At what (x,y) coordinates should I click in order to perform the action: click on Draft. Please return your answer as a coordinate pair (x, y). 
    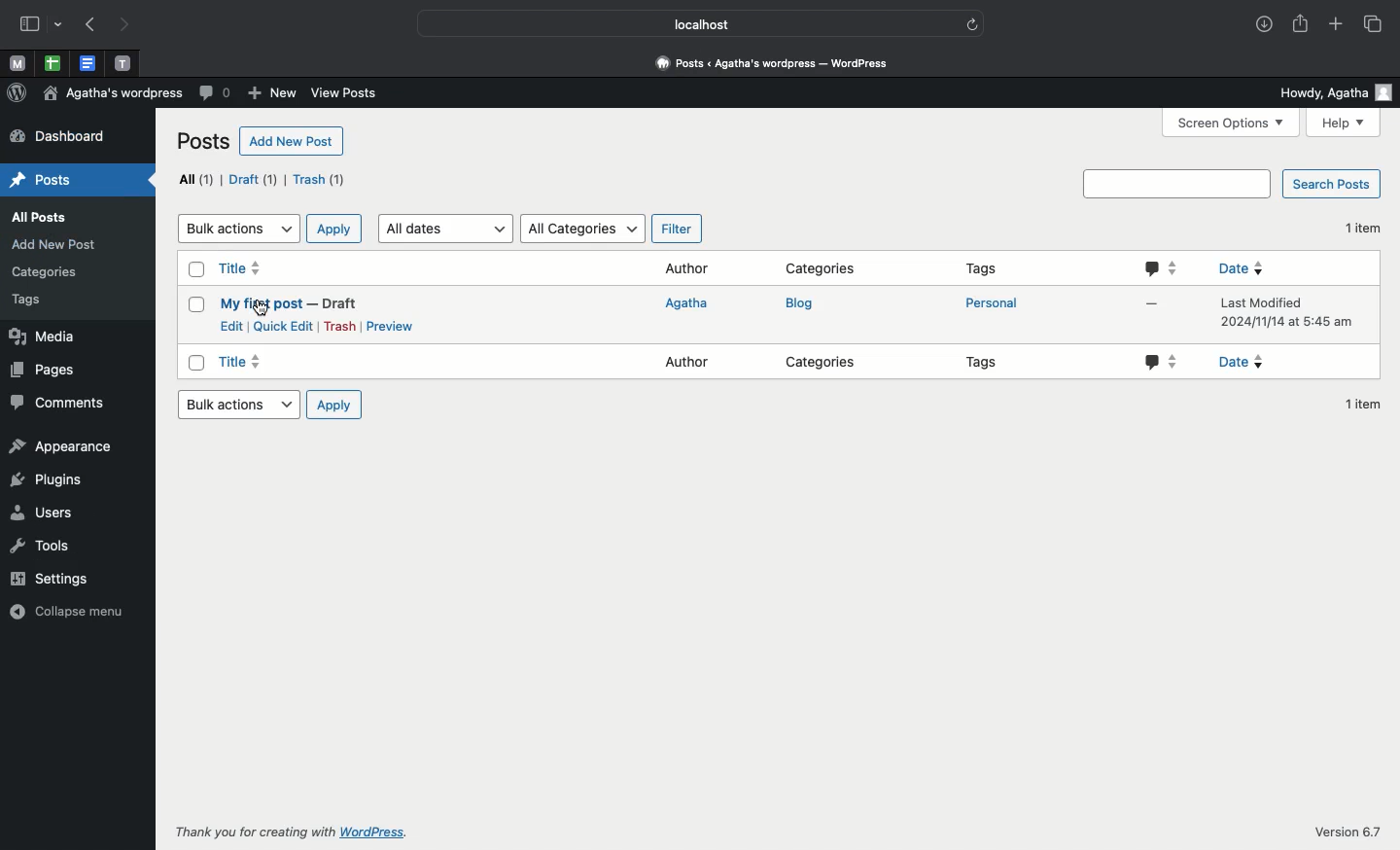
    Looking at the image, I should click on (256, 180).